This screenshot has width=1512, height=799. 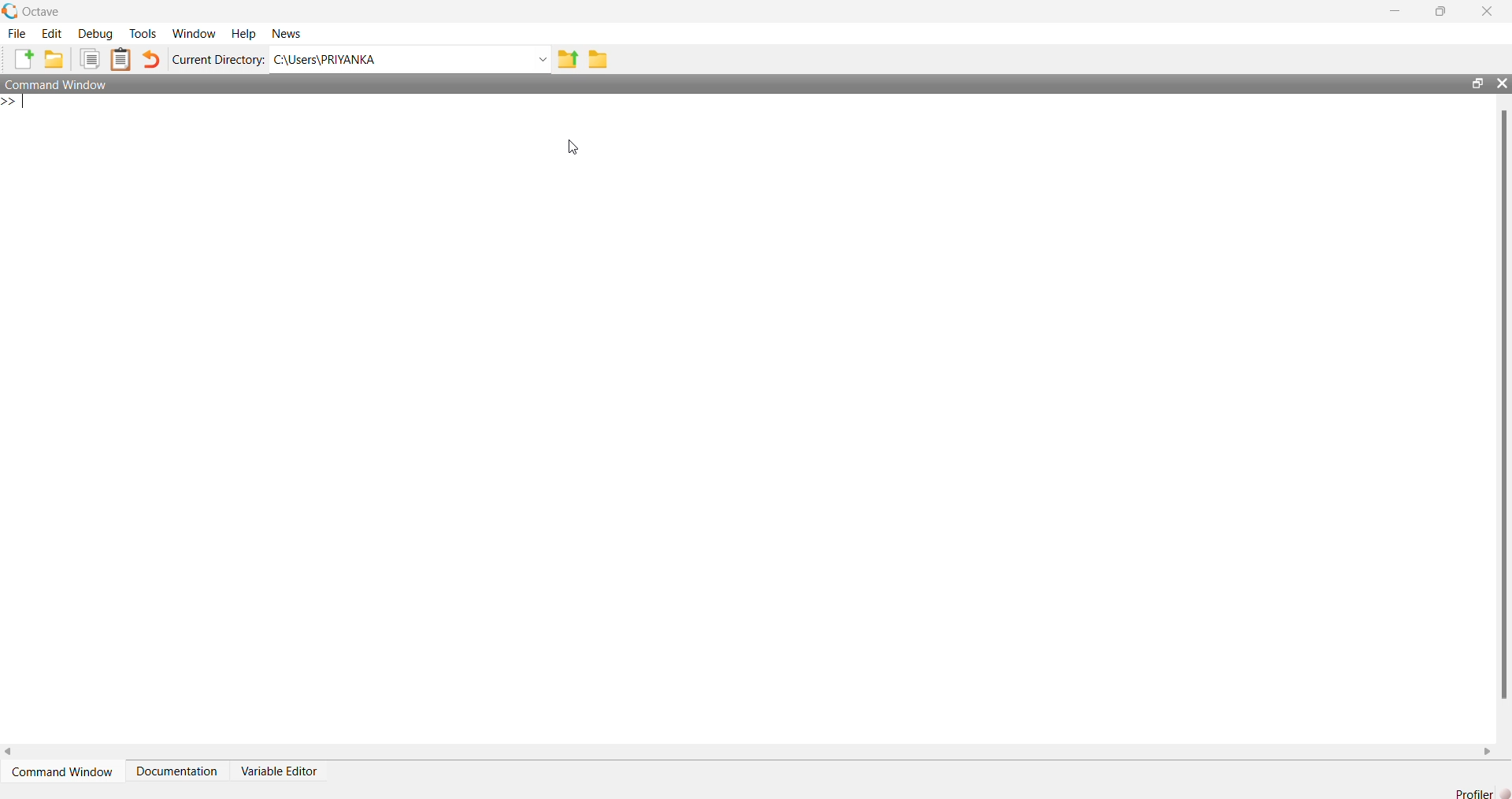 I want to click on close, so click(x=1487, y=10).